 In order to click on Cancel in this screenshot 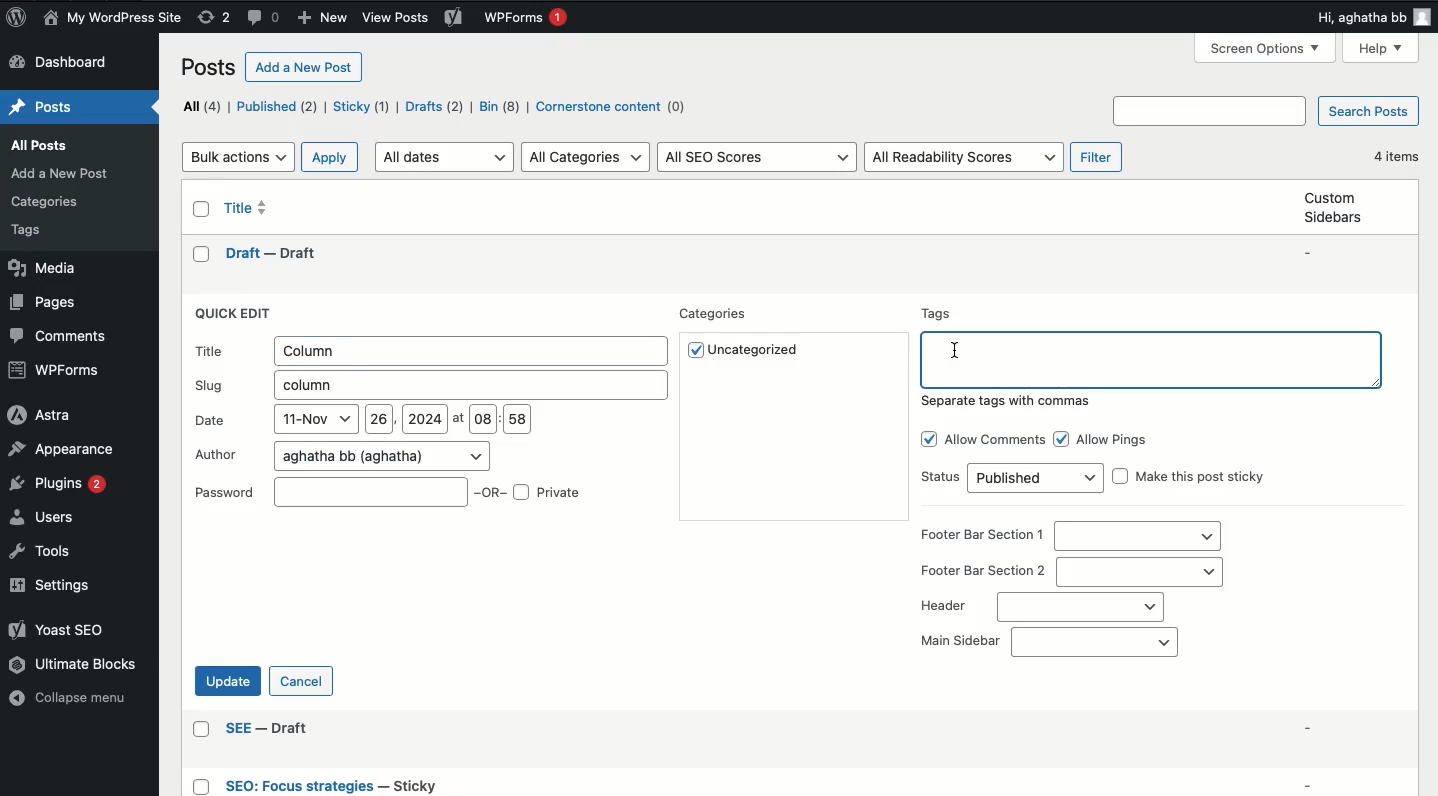, I will do `click(303, 680)`.